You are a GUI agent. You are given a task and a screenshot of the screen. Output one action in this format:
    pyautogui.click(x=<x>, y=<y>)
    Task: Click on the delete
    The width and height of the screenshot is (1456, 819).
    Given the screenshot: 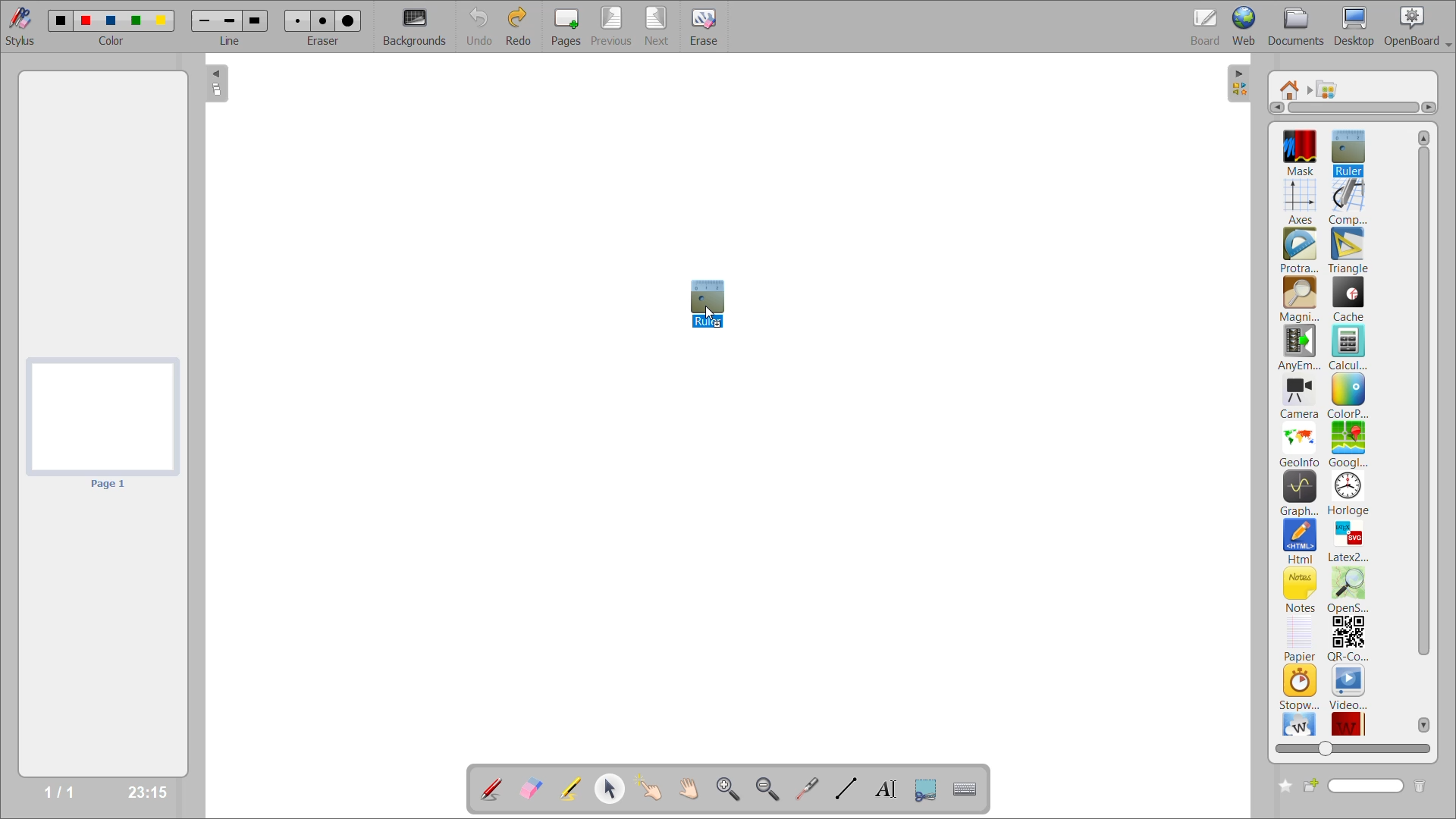 What is the action you would take?
    pyautogui.click(x=1420, y=786)
    